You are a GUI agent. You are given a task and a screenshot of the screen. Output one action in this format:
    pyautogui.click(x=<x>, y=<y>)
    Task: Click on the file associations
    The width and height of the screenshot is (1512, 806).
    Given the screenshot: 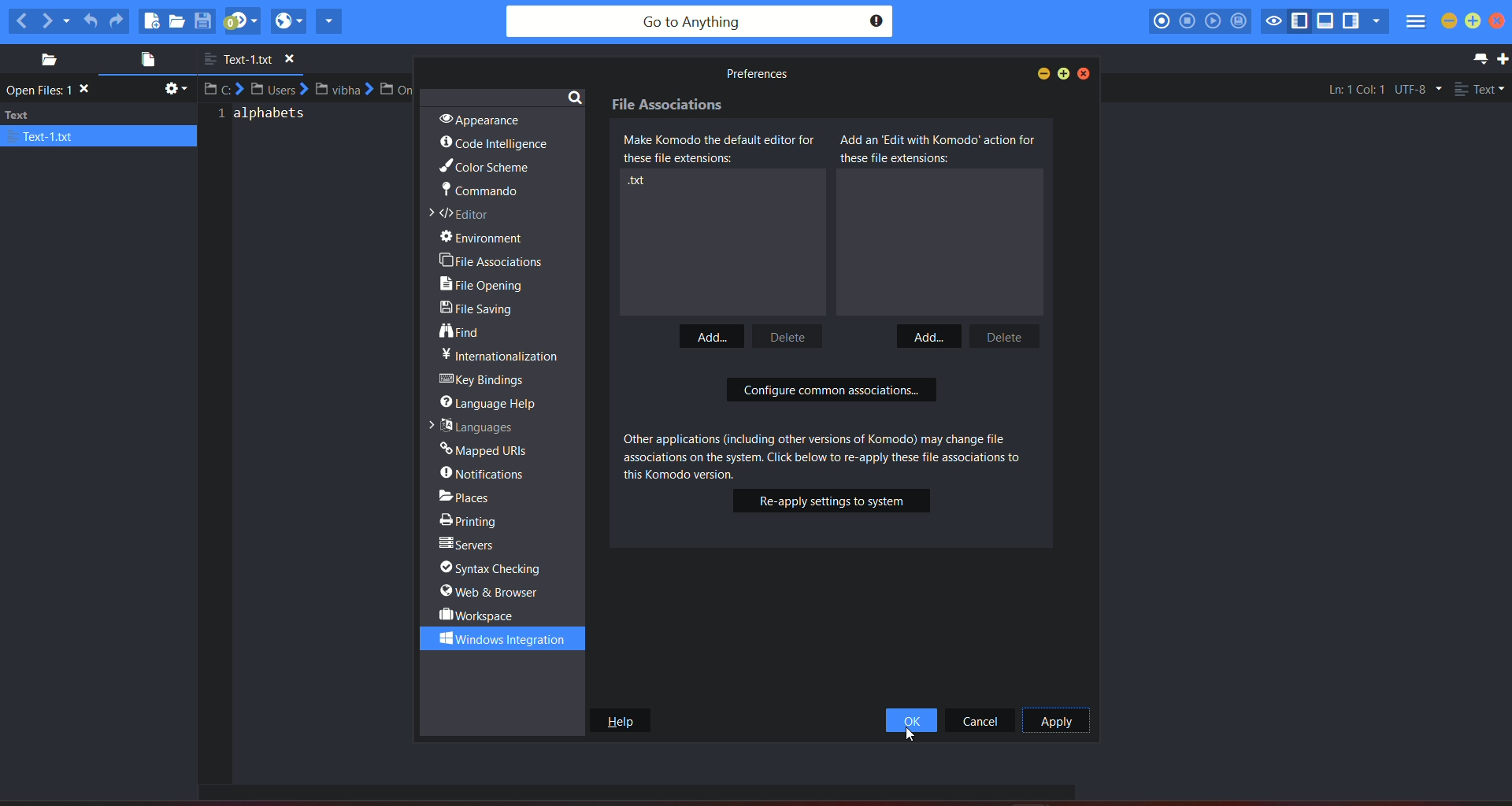 What is the action you would take?
    pyautogui.click(x=492, y=260)
    